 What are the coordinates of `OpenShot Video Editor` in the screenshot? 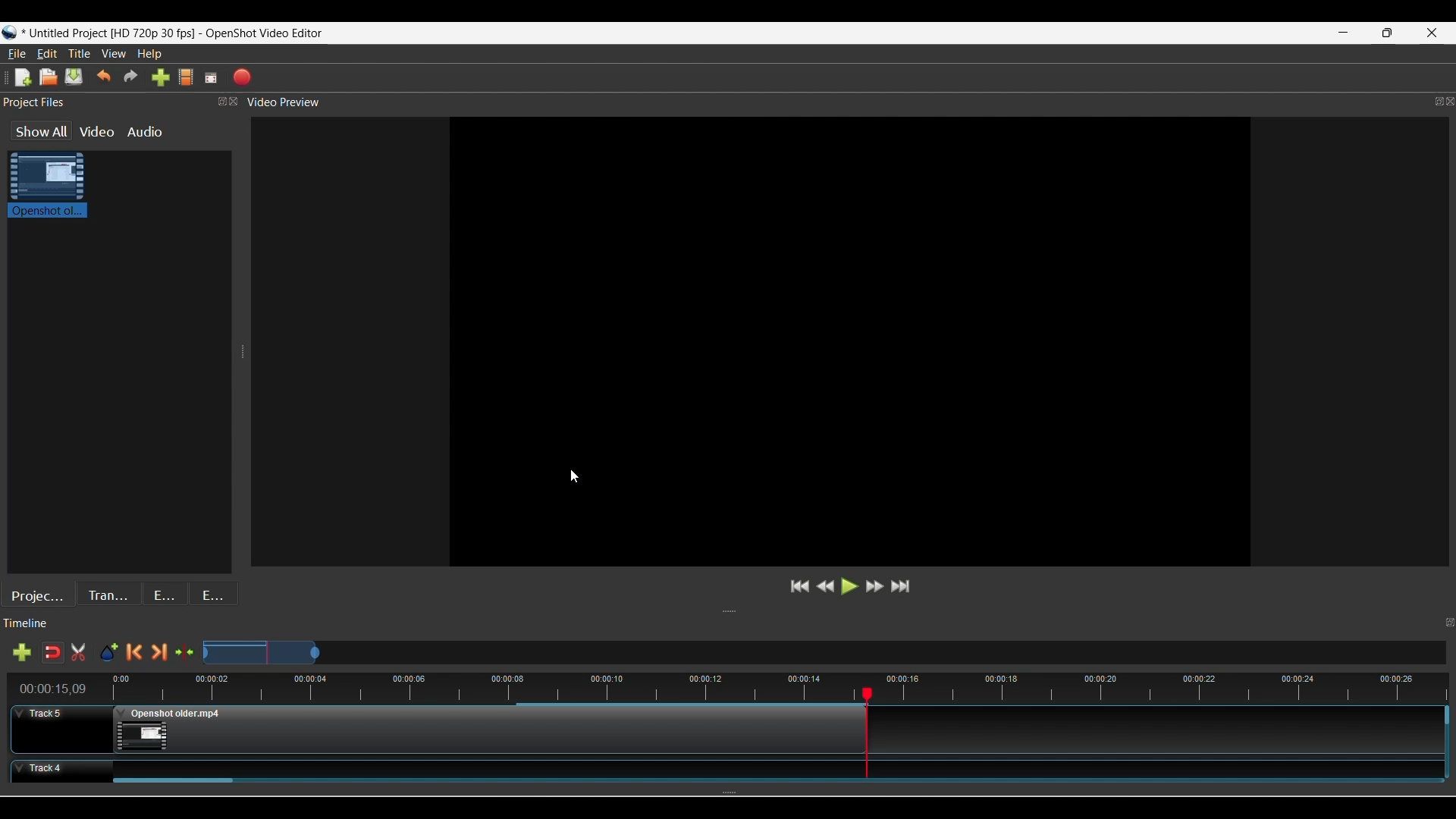 It's located at (266, 34).